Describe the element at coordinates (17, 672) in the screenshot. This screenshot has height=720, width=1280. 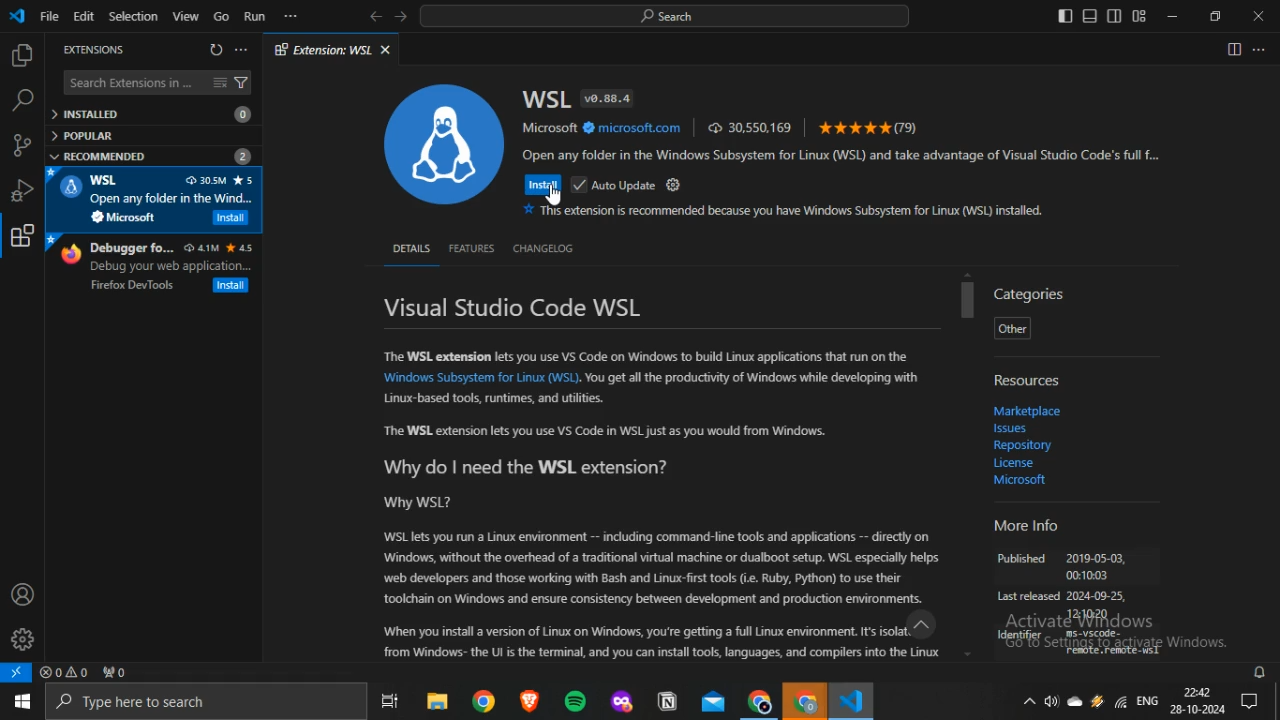
I see `open a remote window` at that location.